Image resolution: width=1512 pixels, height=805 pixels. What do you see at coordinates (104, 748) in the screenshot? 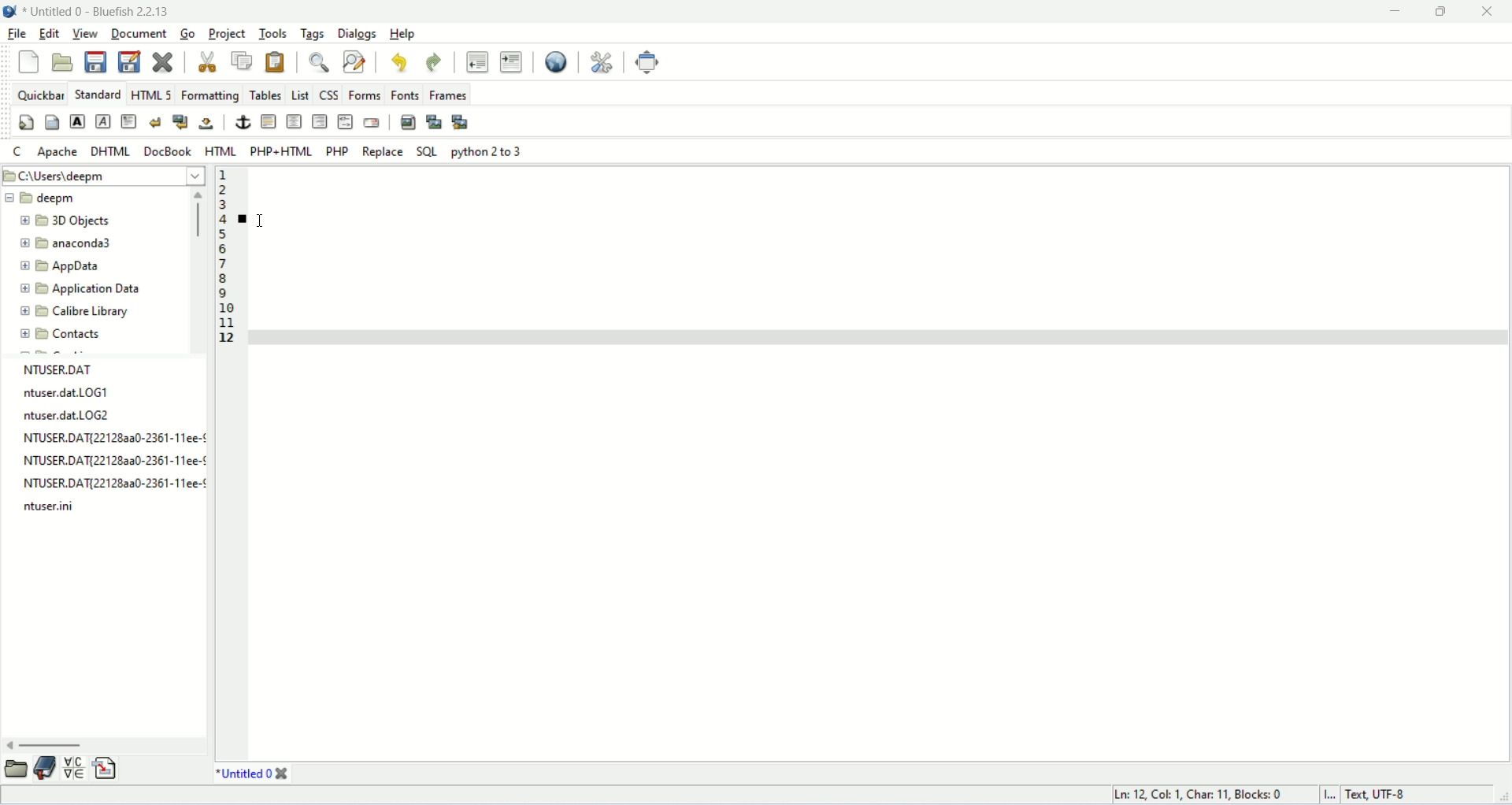
I see `horizontal scroll bar` at bounding box center [104, 748].